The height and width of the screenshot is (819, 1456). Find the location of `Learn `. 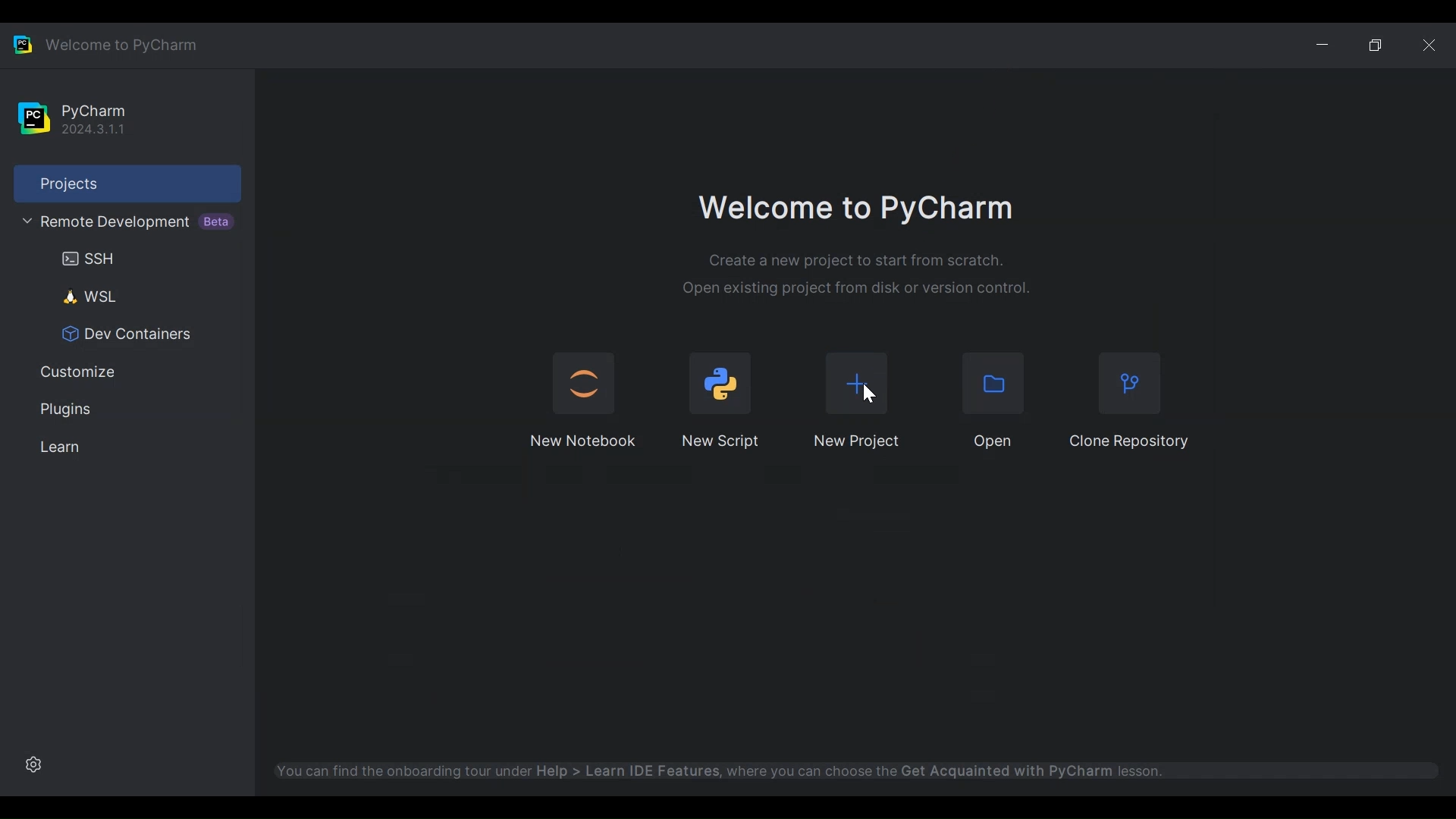

Learn  is located at coordinates (55, 447).